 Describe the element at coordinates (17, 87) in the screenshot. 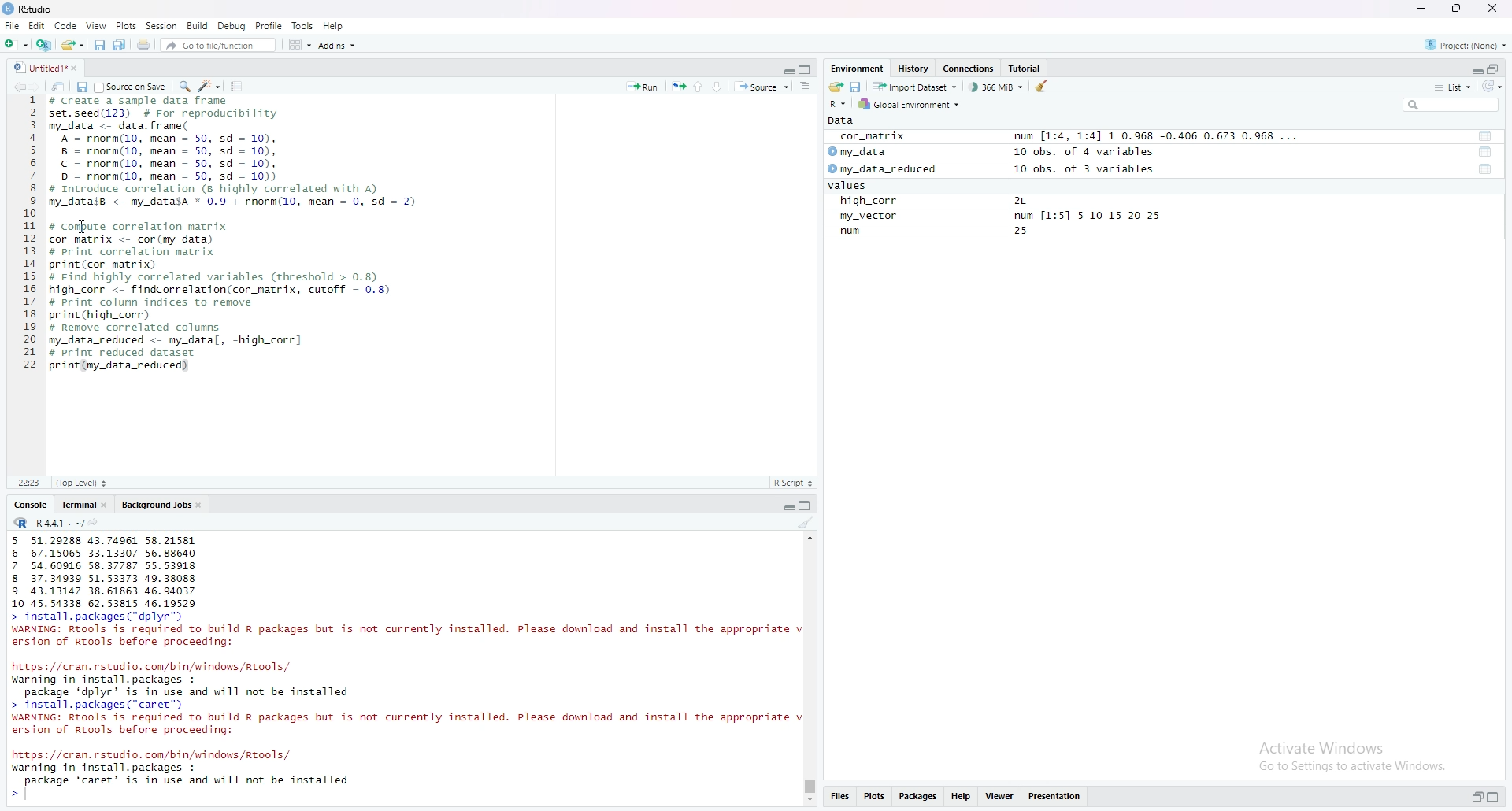

I see `backward` at that location.